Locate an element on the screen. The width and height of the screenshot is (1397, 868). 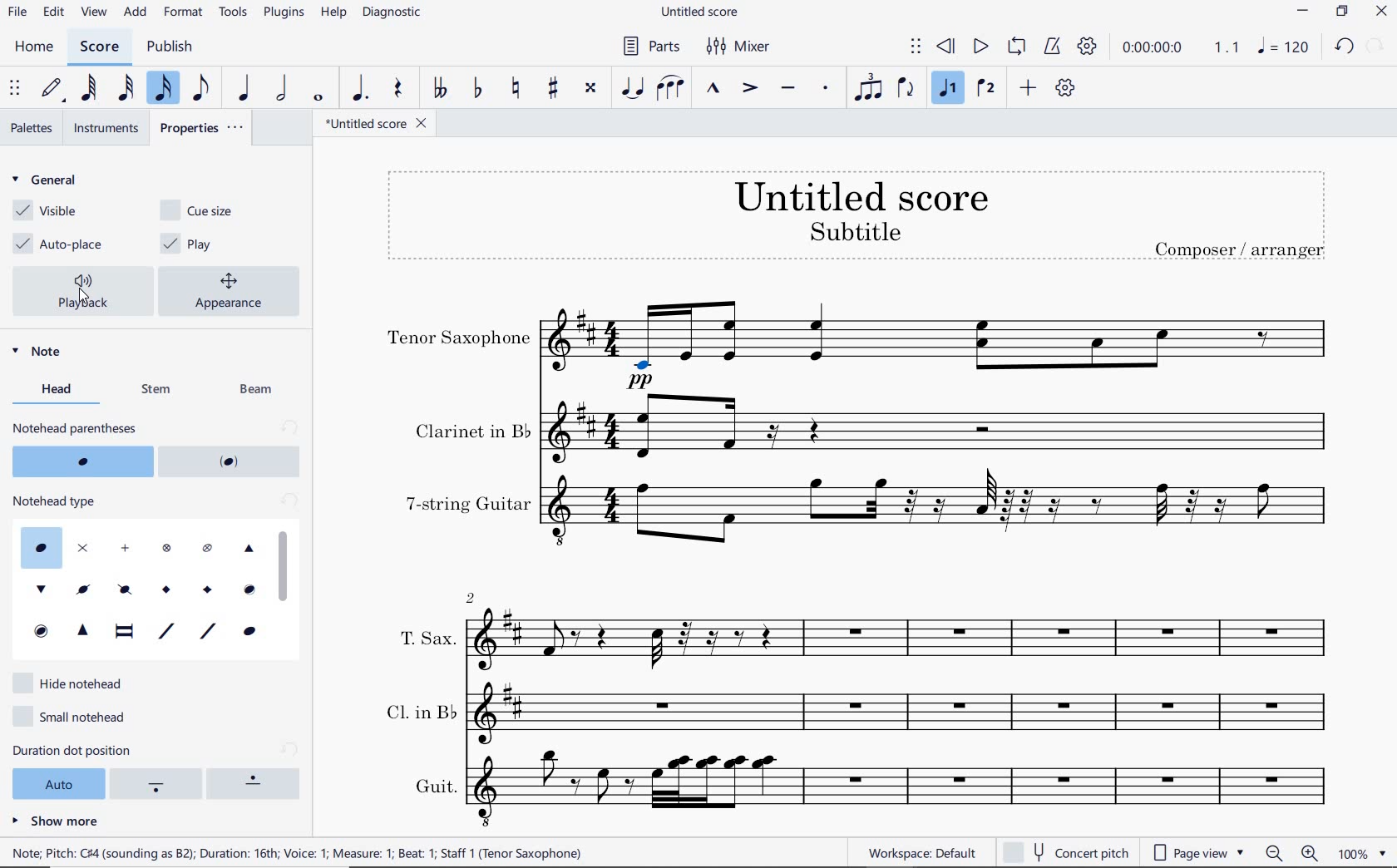
score is located at coordinates (99, 48).